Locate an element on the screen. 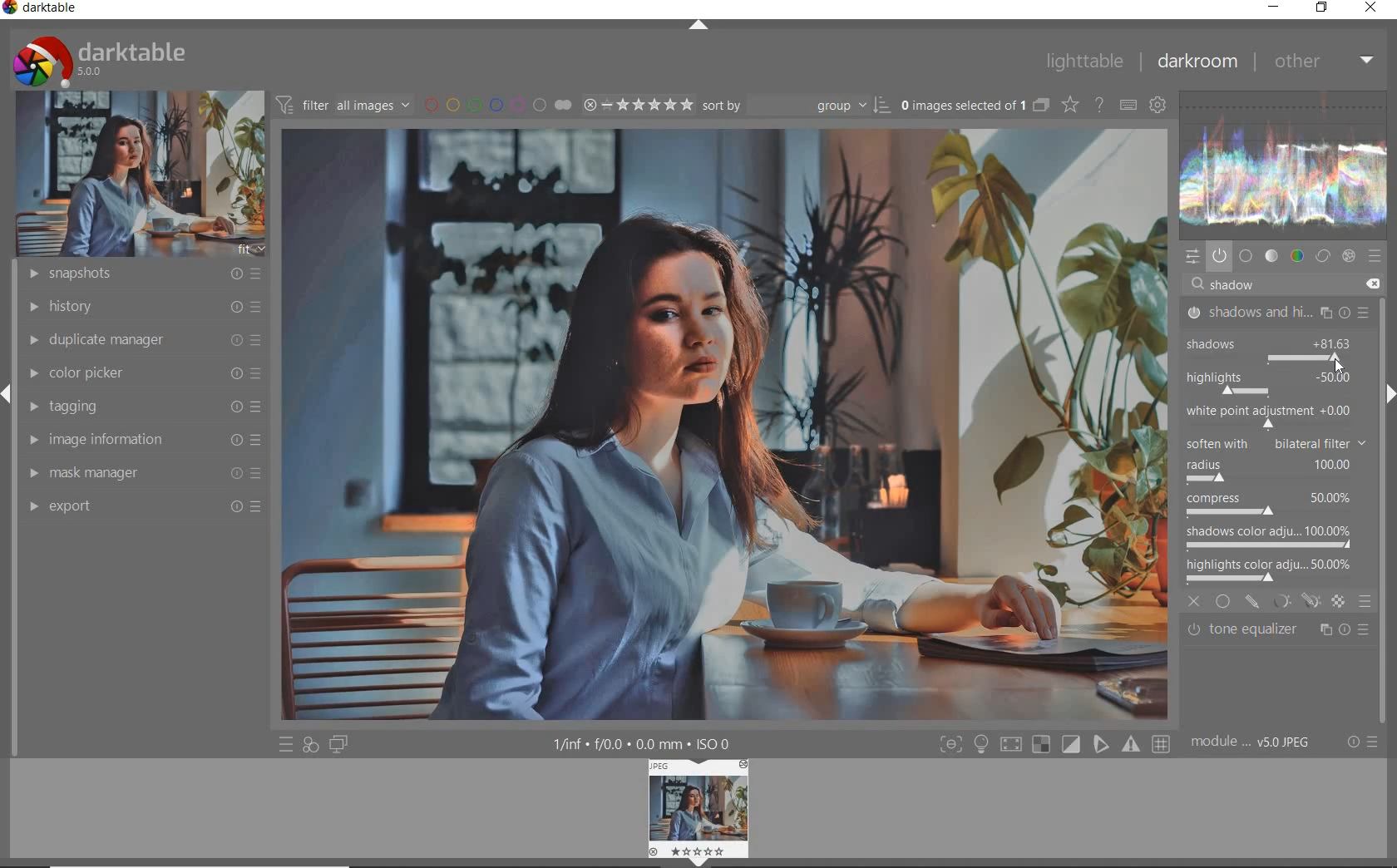 Image resolution: width=1397 pixels, height=868 pixels. color picker is located at coordinates (143, 373).